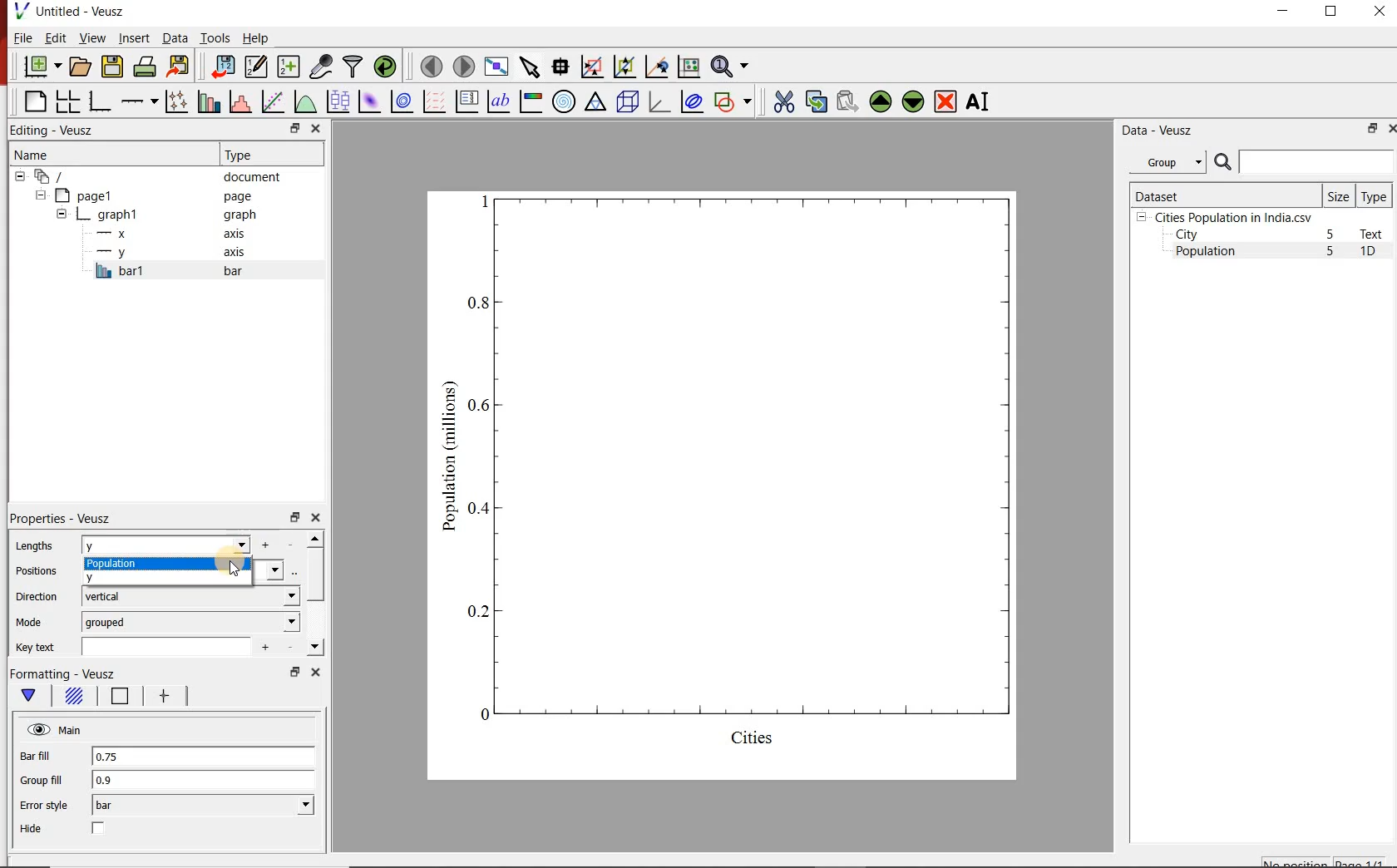  I want to click on Positions, so click(36, 571).